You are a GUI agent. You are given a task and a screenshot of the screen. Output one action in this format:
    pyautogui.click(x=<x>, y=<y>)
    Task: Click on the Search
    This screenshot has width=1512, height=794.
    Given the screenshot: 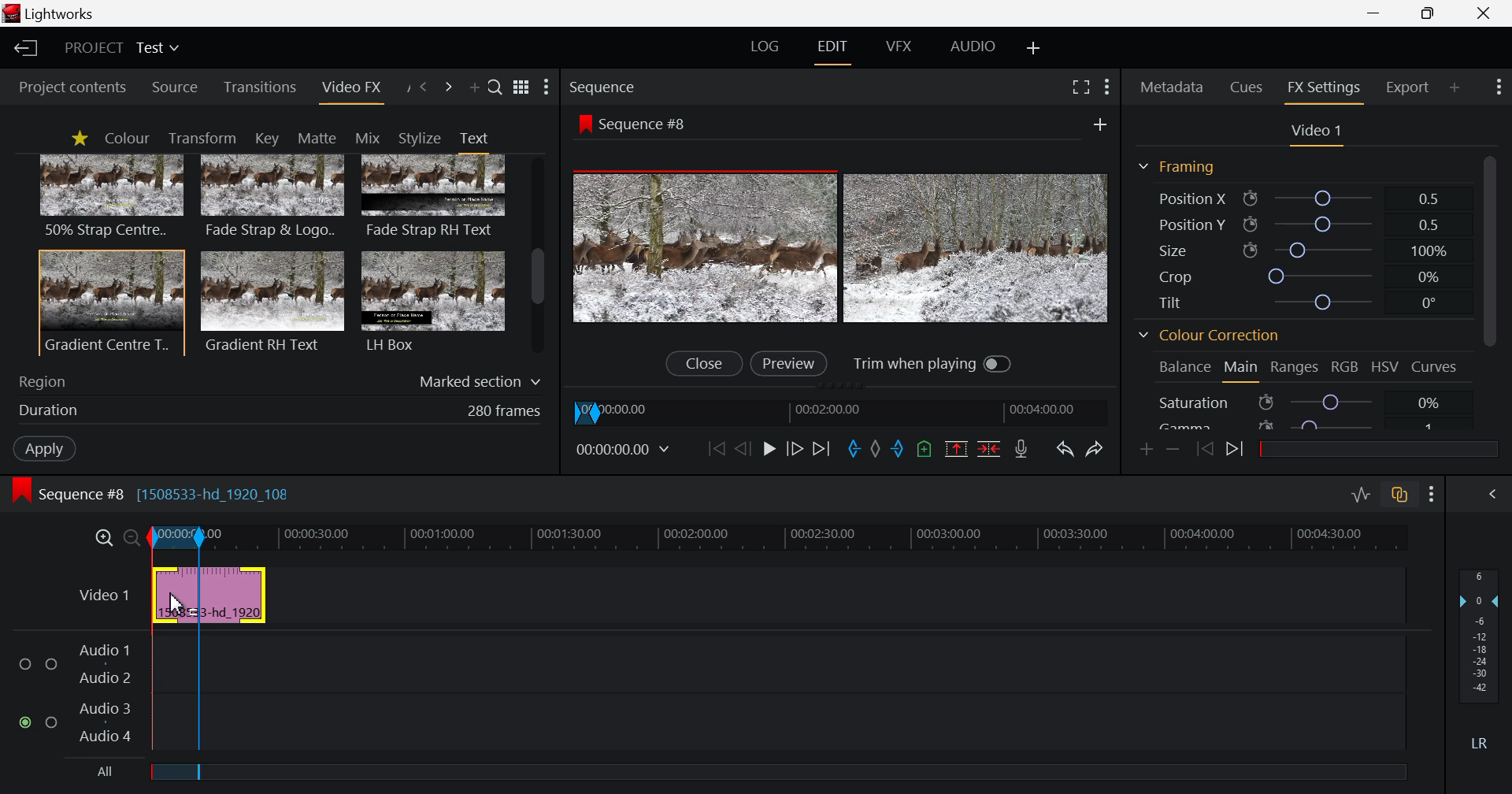 What is the action you would take?
    pyautogui.click(x=495, y=89)
    